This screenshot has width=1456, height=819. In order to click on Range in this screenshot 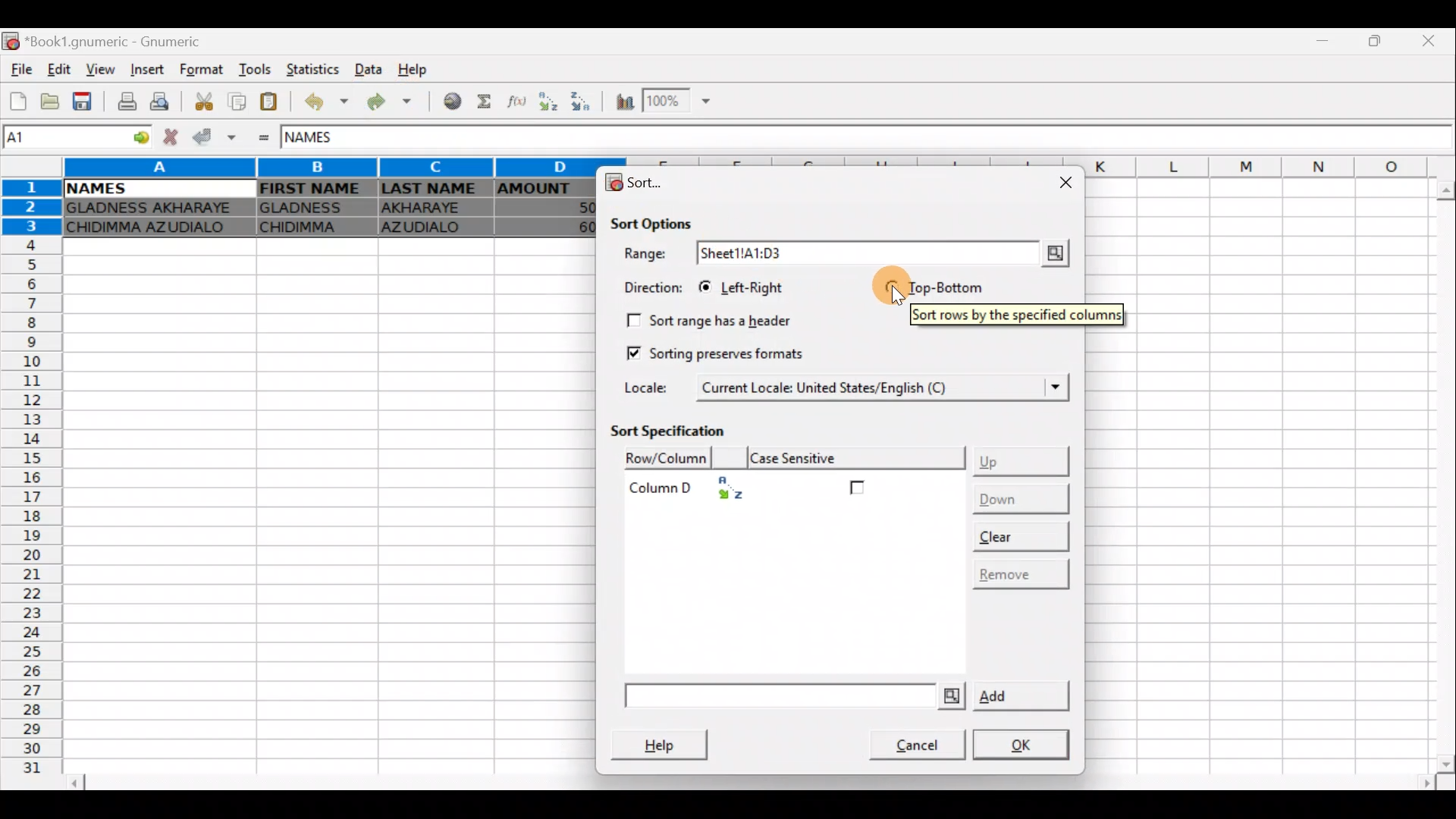, I will do `click(643, 255)`.